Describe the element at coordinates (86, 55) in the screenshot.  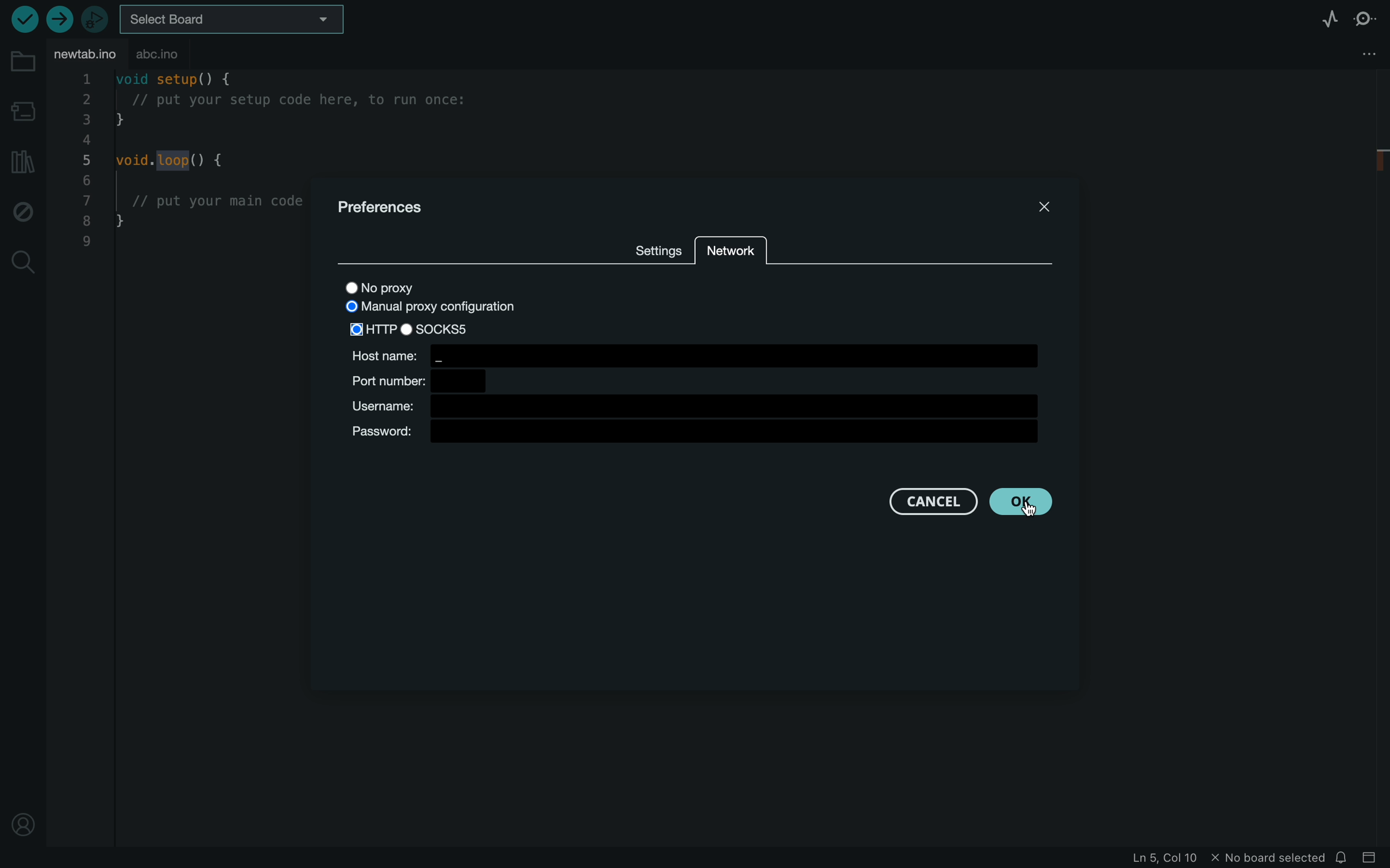
I see `file tab` at that location.